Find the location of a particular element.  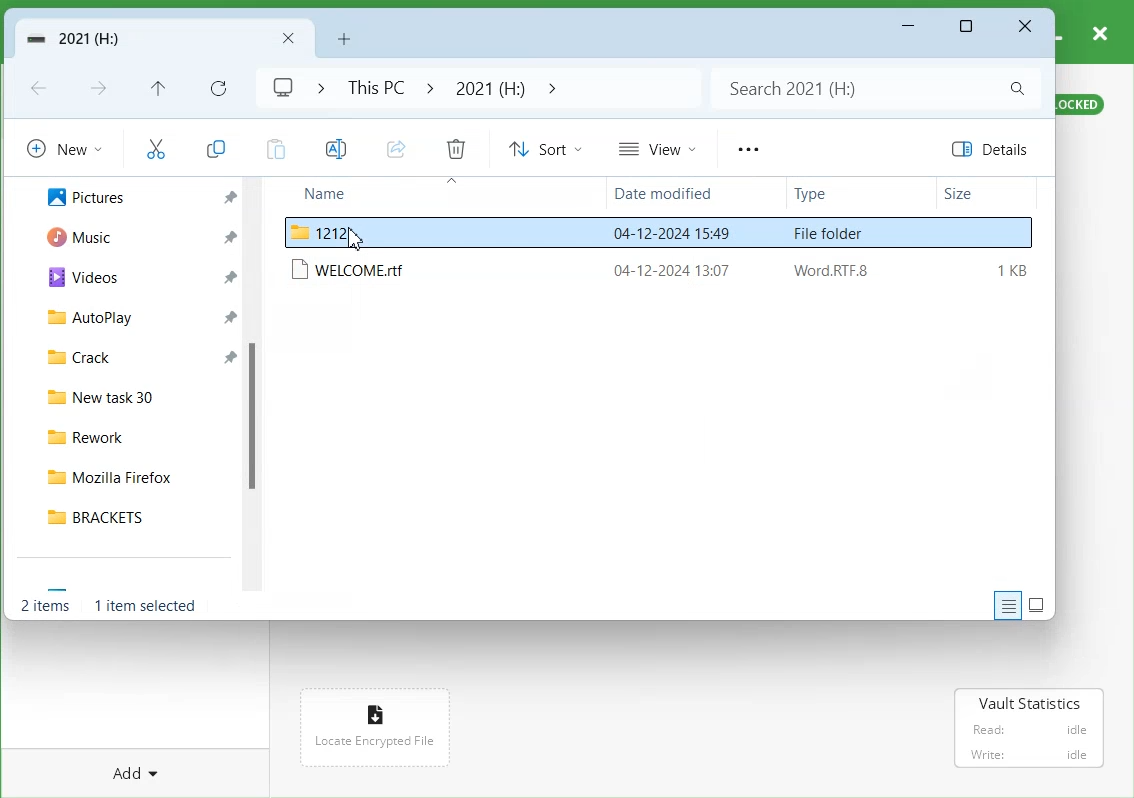

Delete is located at coordinates (456, 148).